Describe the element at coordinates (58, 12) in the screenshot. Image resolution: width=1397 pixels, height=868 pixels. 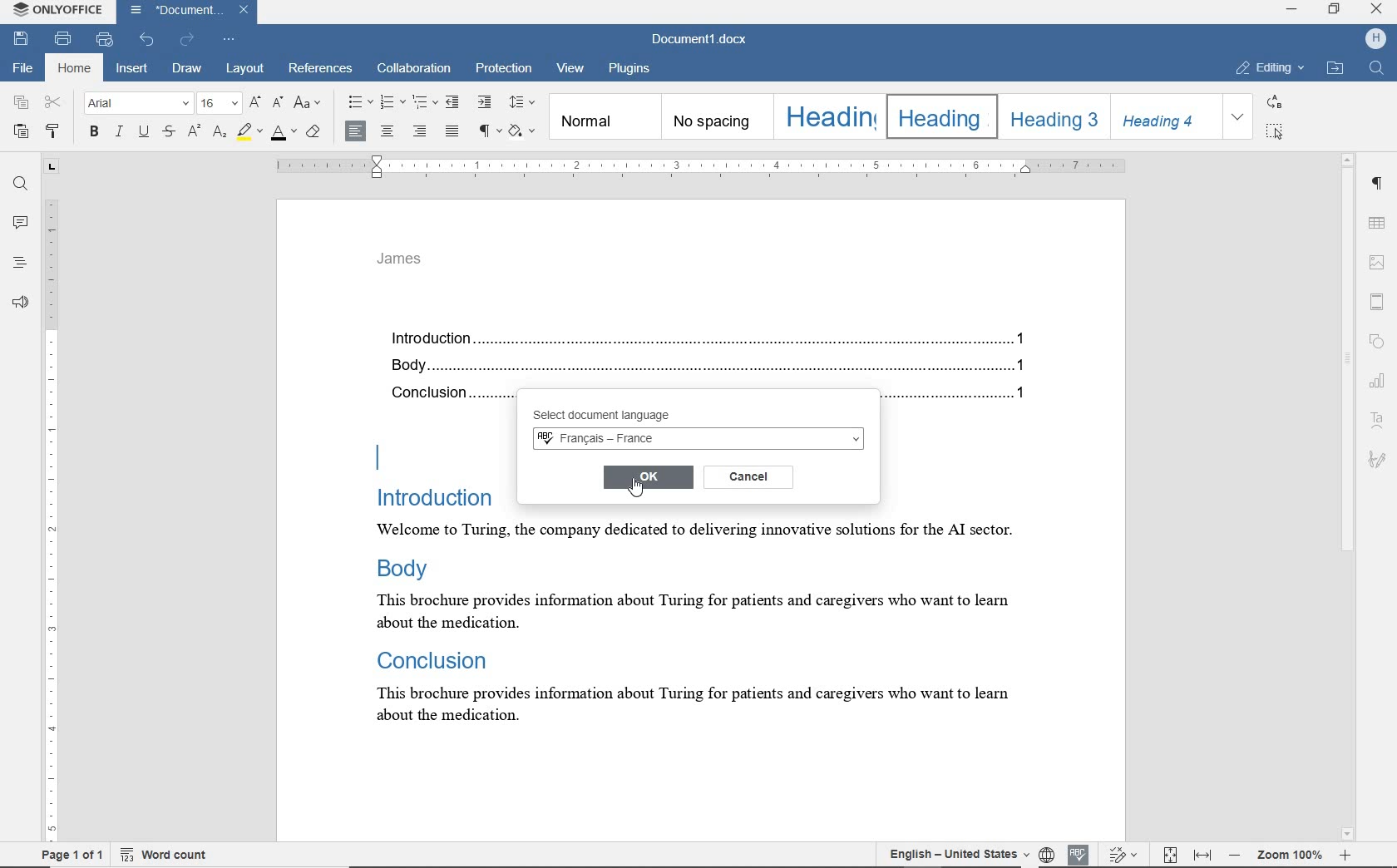
I see `system name` at that location.